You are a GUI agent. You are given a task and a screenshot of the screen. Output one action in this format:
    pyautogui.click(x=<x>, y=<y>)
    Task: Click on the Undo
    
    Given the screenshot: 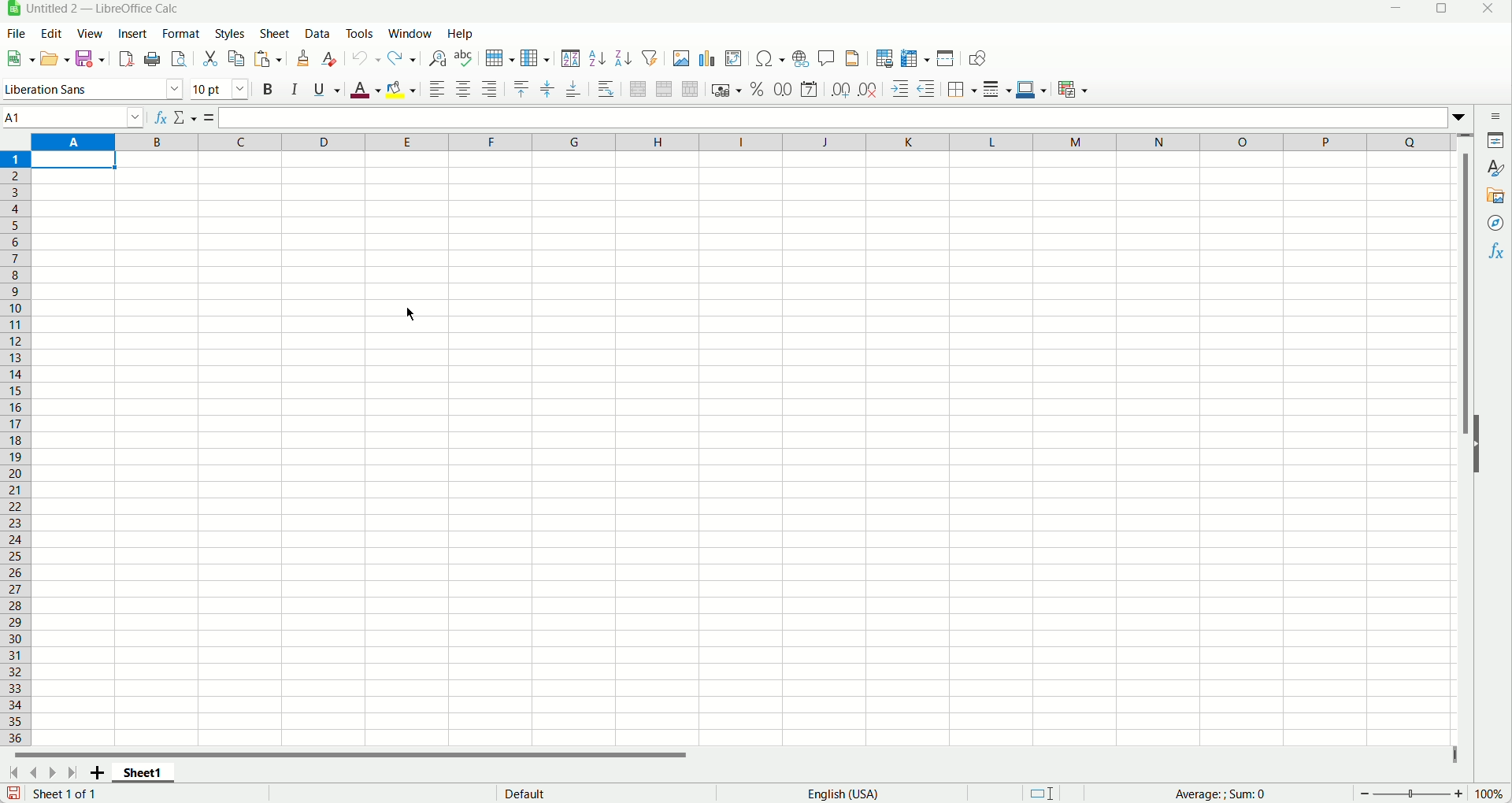 What is the action you would take?
    pyautogui.click(x=366, y=58)
    